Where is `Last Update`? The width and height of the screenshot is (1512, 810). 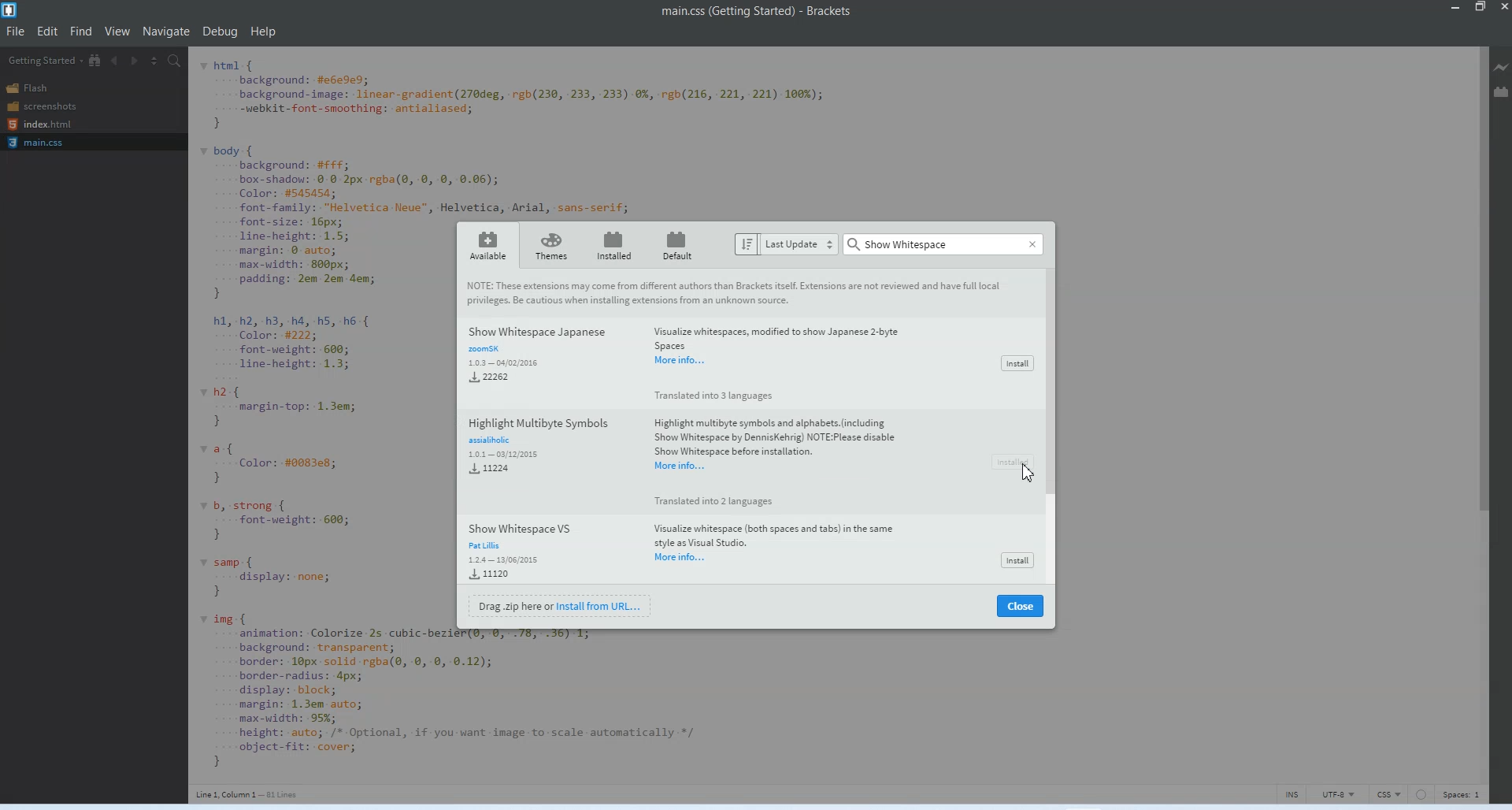
Last Update is located at coordinates (784, 243).